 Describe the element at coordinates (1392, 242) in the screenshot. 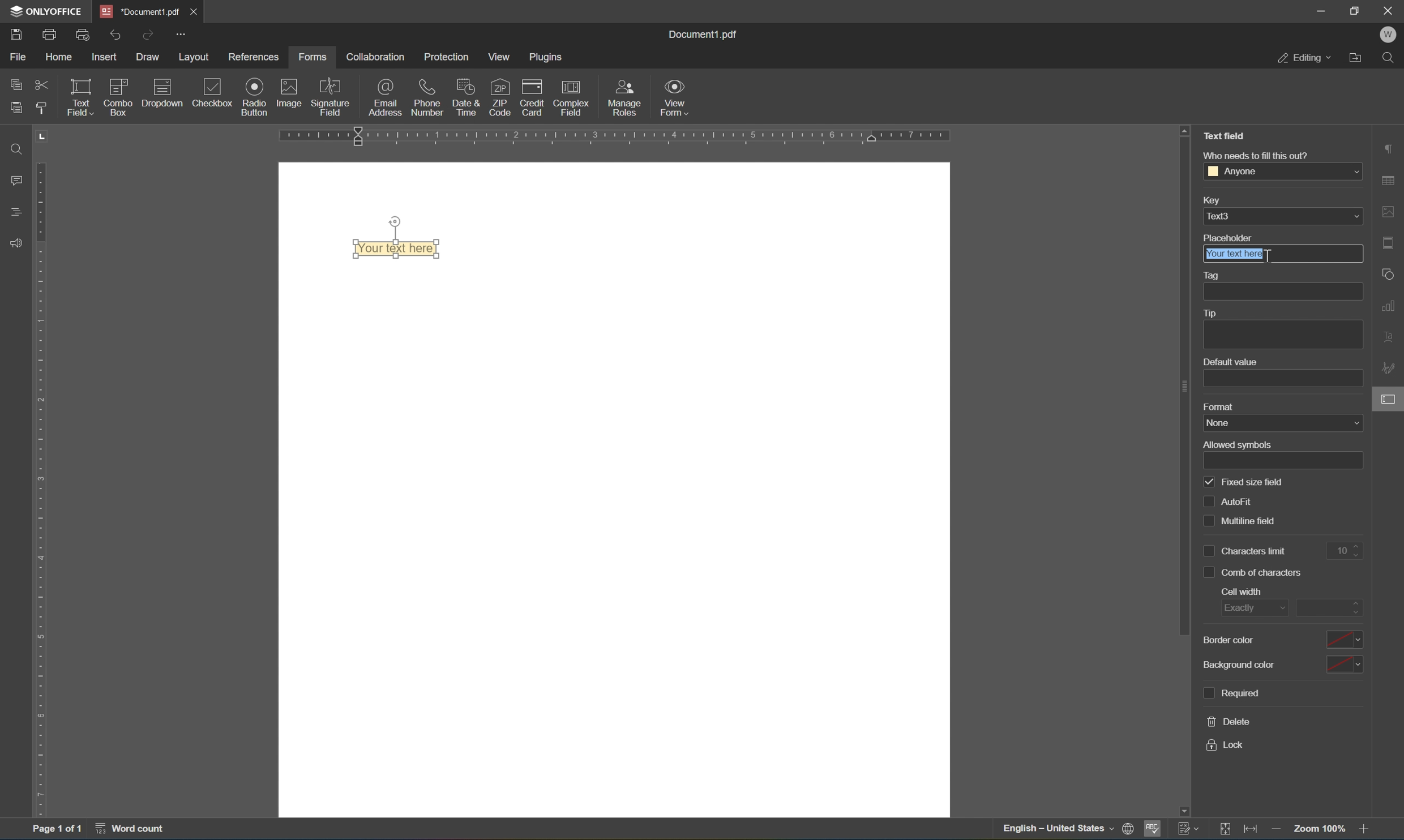

I see `header and footer settings` at that location.